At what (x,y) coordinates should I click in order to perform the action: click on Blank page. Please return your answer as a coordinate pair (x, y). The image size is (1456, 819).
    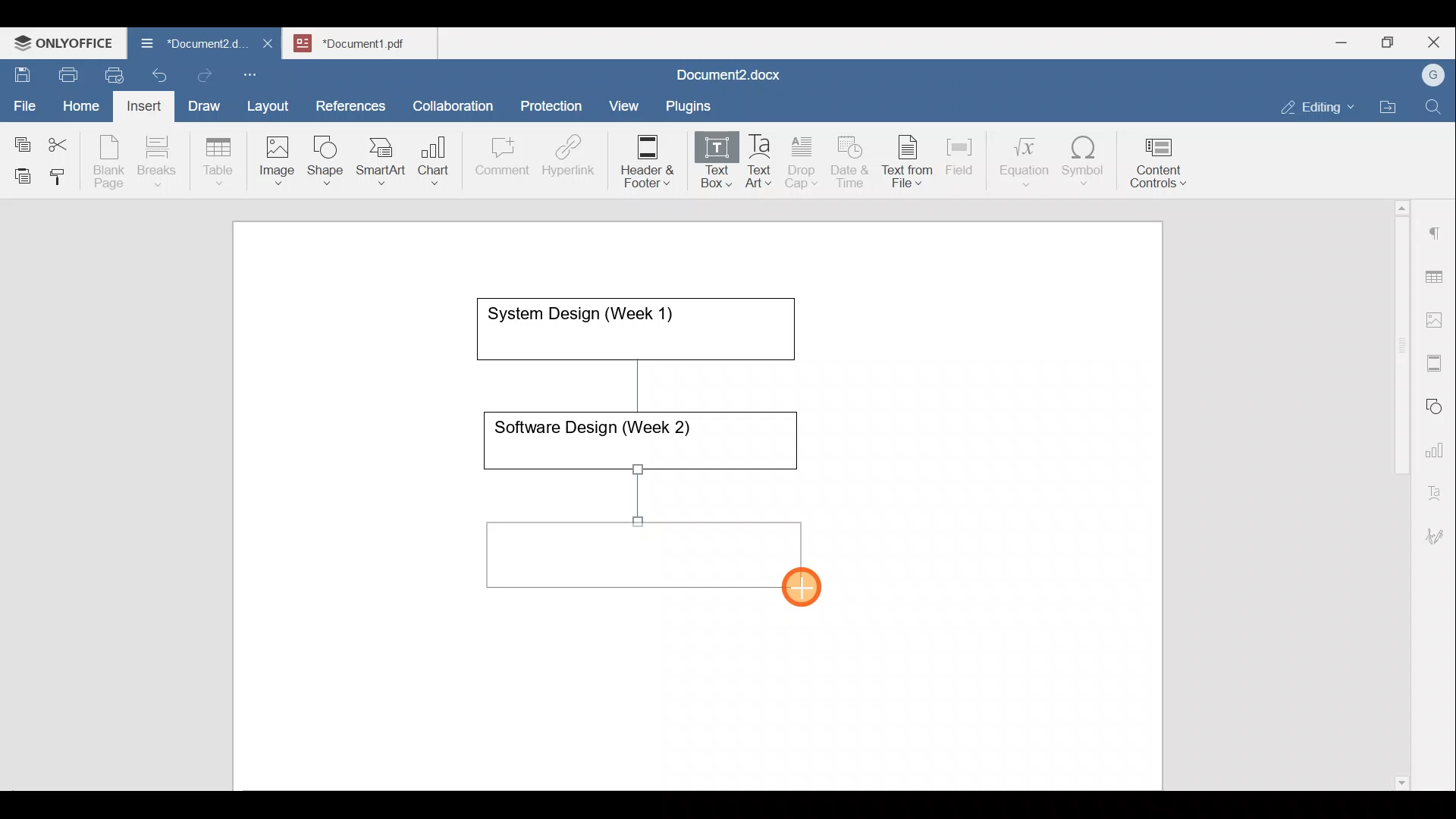
    Looking at the image, I should click on (111, 162).